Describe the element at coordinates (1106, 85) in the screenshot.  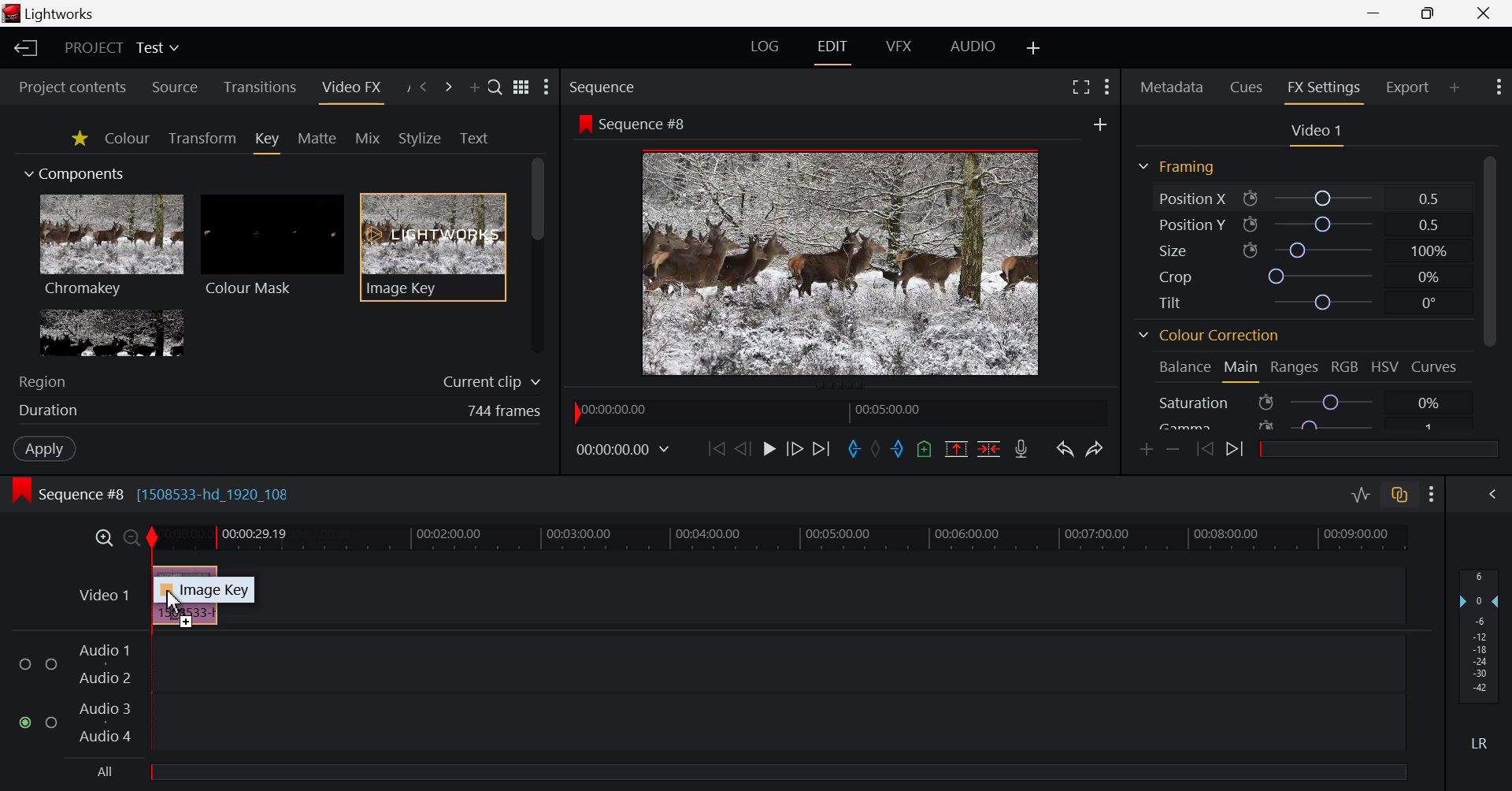
I see `Show Settings` at that location.